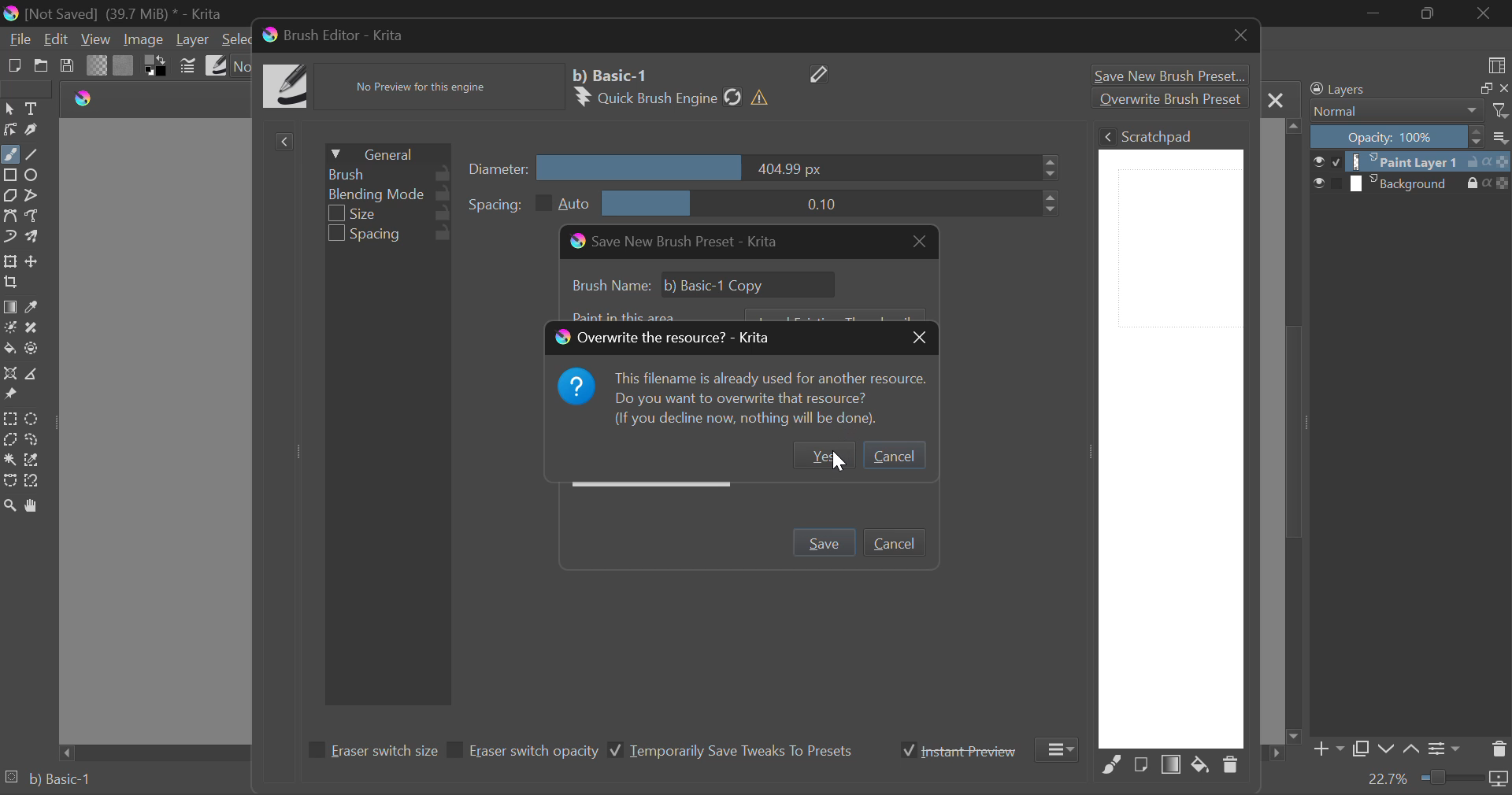 The image size is (1512, 795). What do you see at coordinates (32, 348) in the screenshot?
I see `Enclose & Fill` at bounding box center [32, 348].